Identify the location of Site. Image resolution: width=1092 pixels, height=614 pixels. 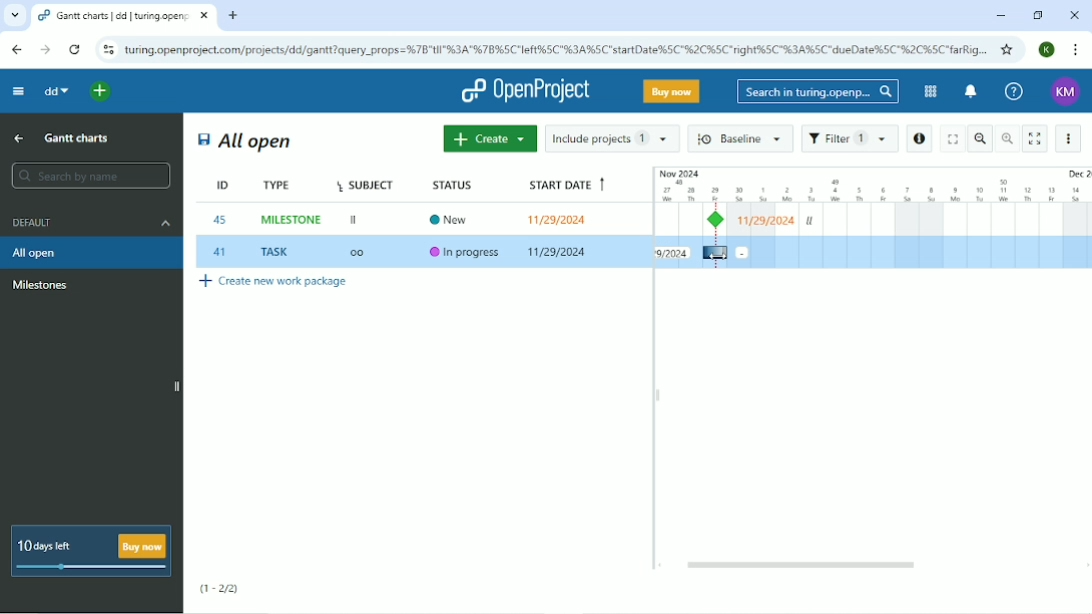
(557, 49).